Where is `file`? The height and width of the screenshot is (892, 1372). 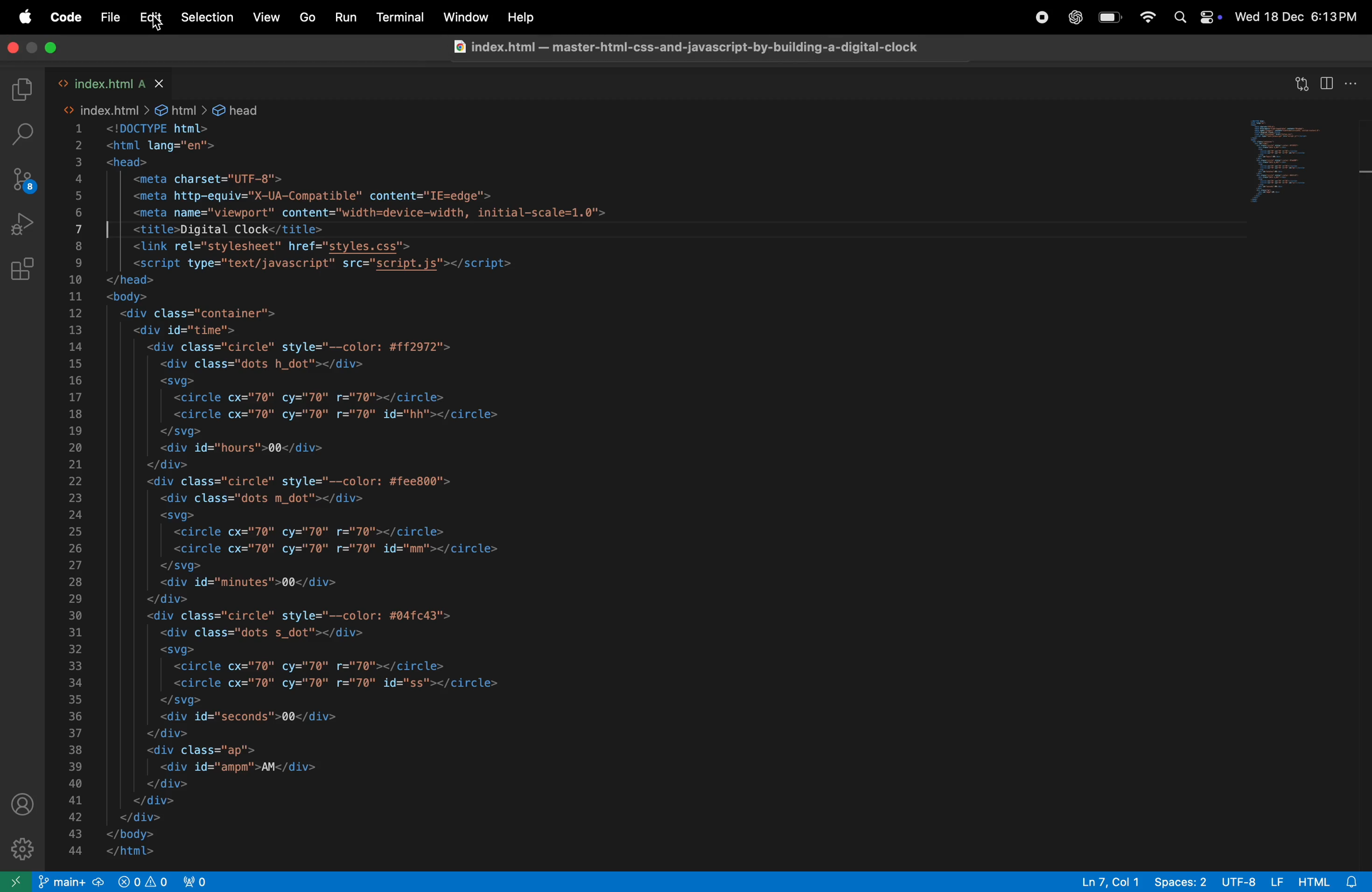 file is located at coordinates (704, 47).